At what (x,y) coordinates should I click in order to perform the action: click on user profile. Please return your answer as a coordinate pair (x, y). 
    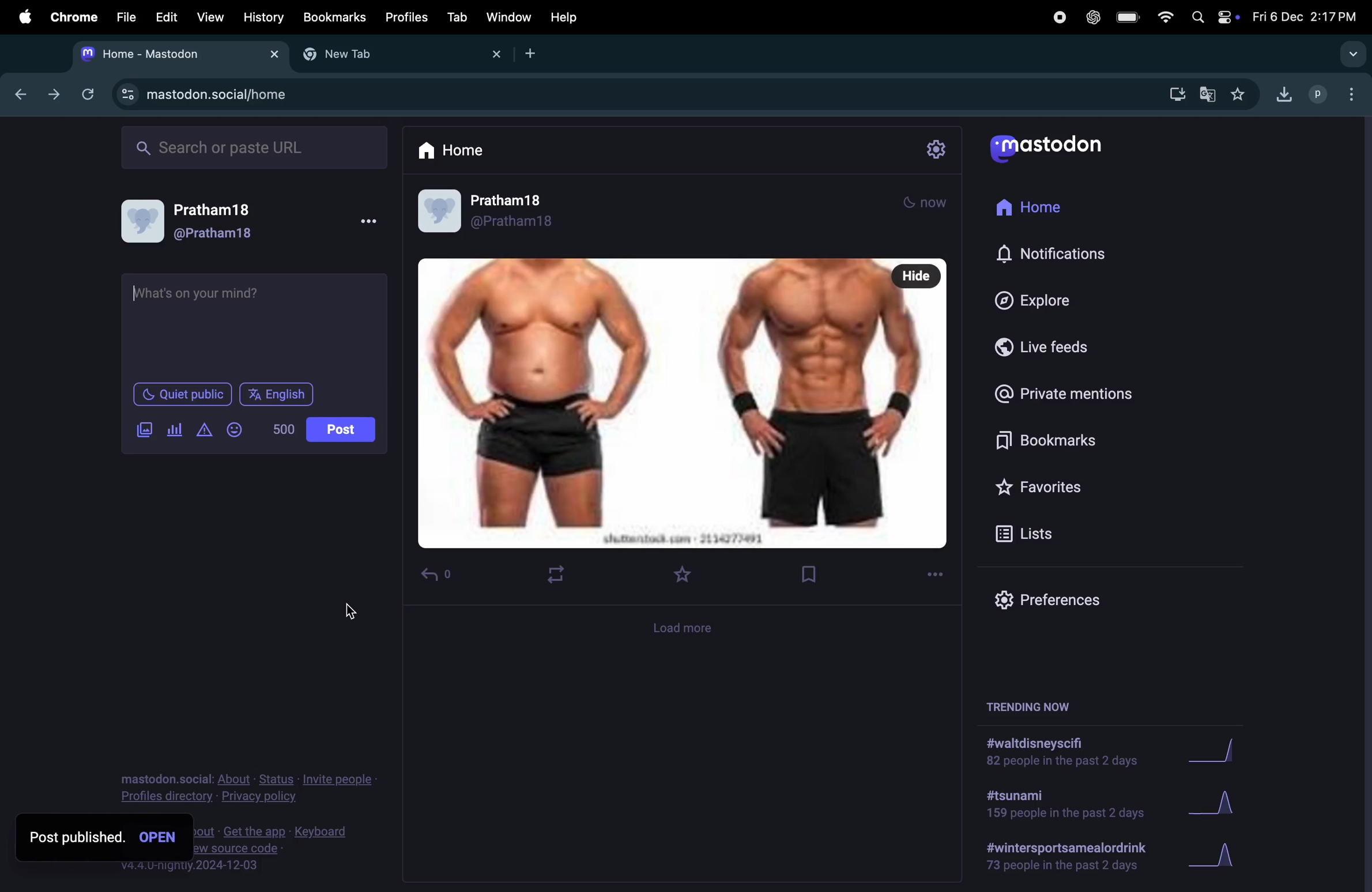
    Looking at the image, I should click on (507, 214).